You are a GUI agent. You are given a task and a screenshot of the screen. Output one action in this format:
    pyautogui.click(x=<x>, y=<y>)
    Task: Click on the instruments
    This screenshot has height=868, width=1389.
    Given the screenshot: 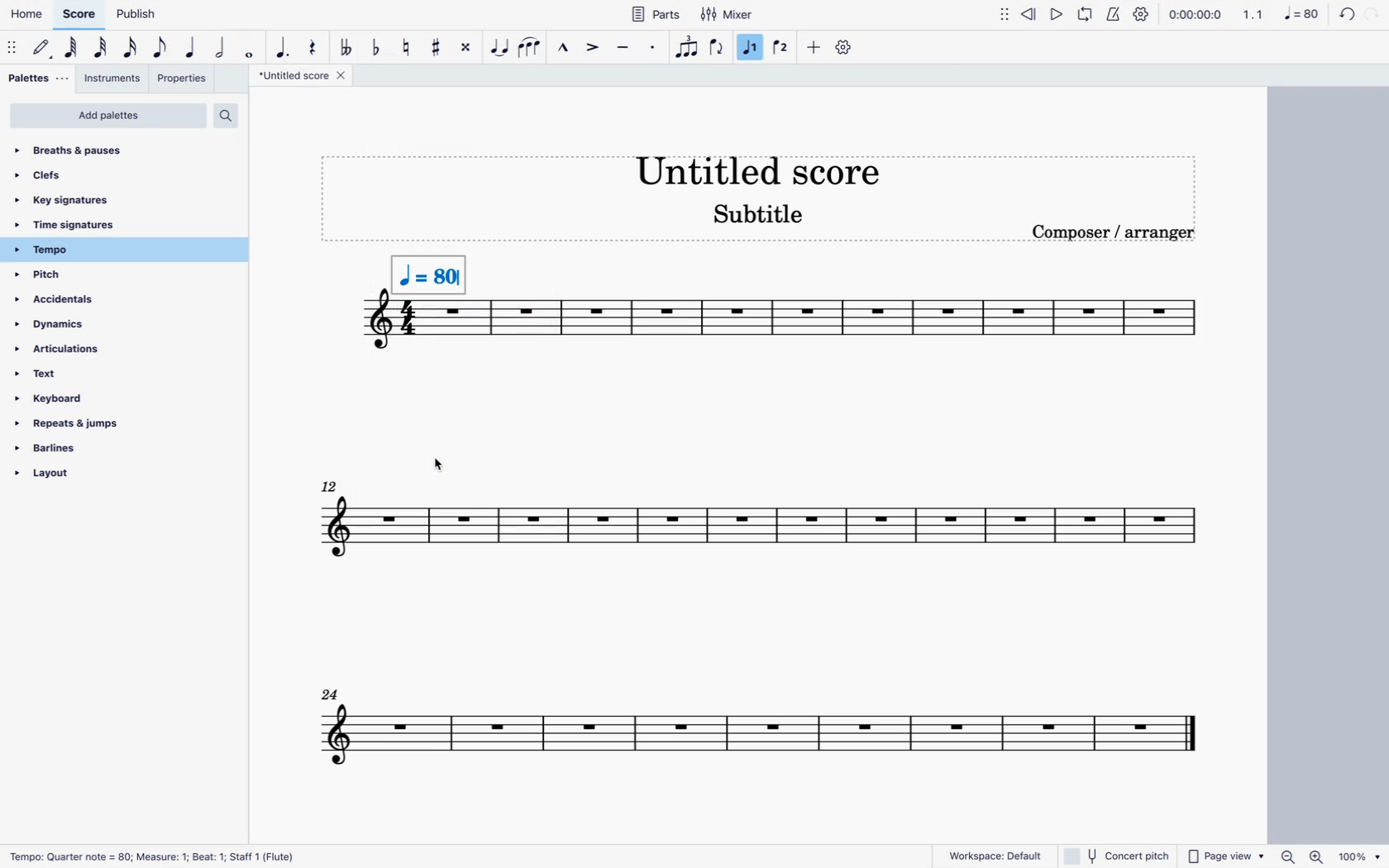 What is the action you would take?
    pyautogui.click(x=113, y=80)
    